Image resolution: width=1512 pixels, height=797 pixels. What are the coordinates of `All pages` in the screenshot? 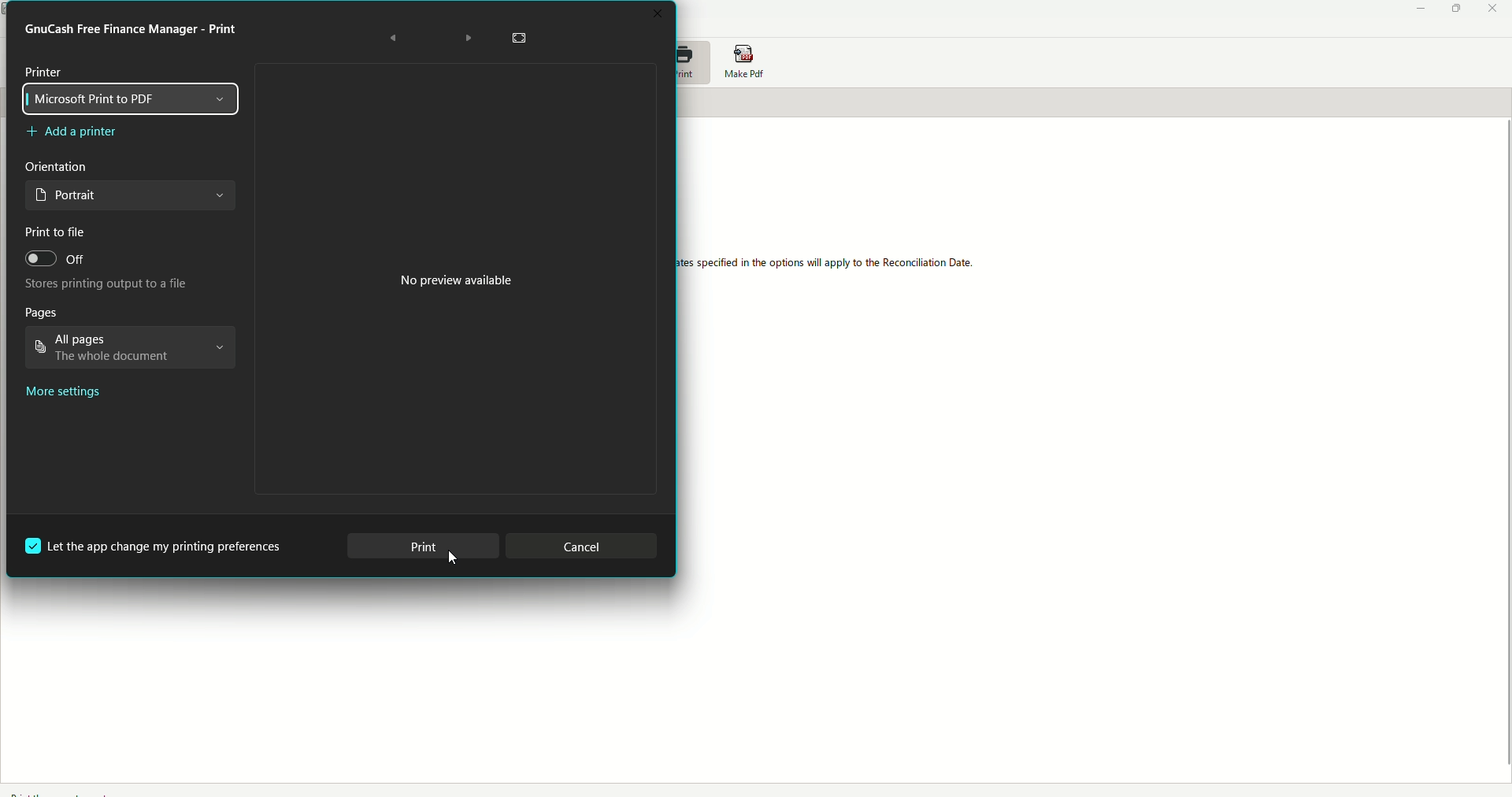 It's located at (132, 351).